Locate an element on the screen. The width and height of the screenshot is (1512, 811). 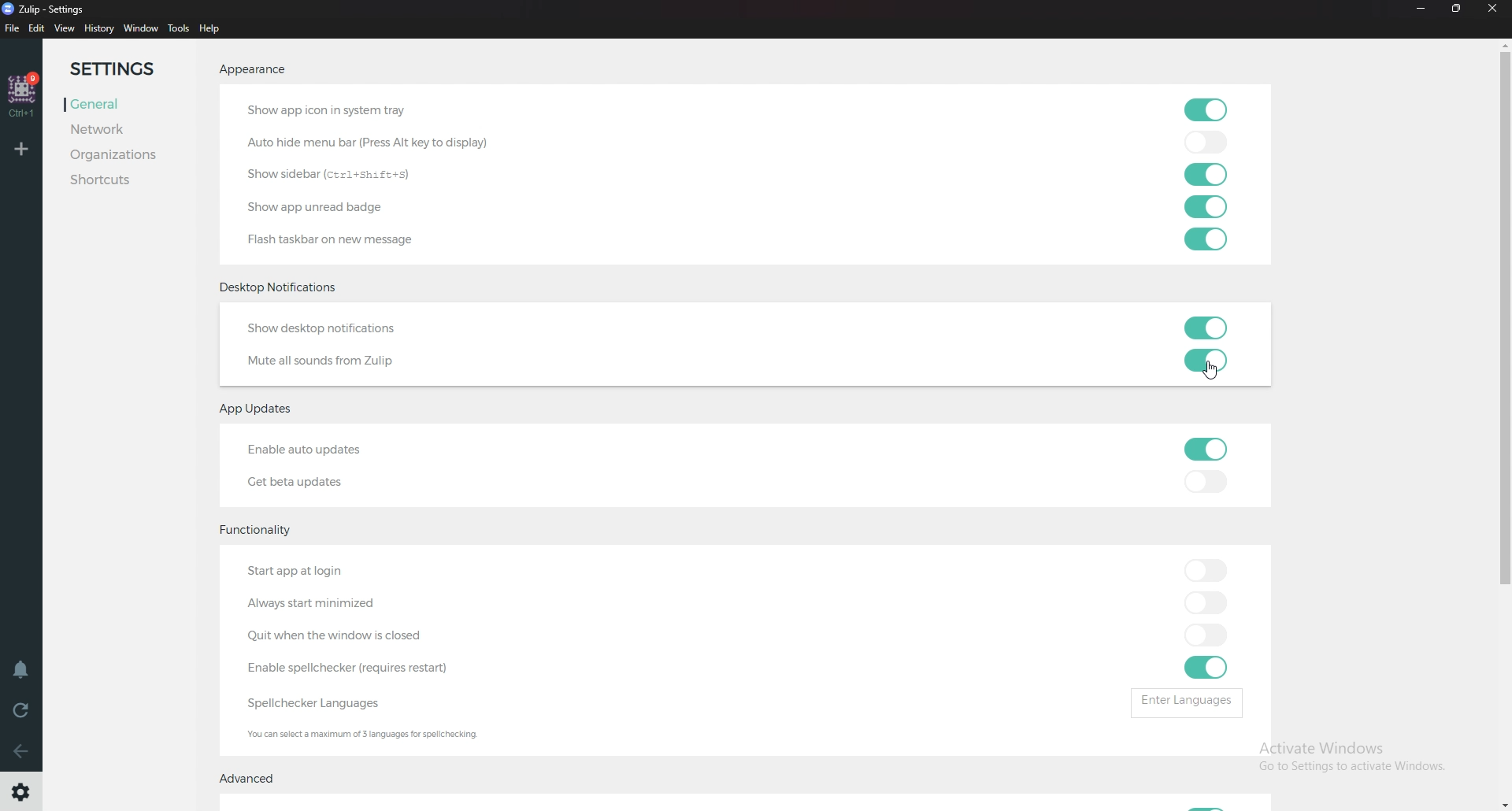
file is located at coordinates (11, 28).